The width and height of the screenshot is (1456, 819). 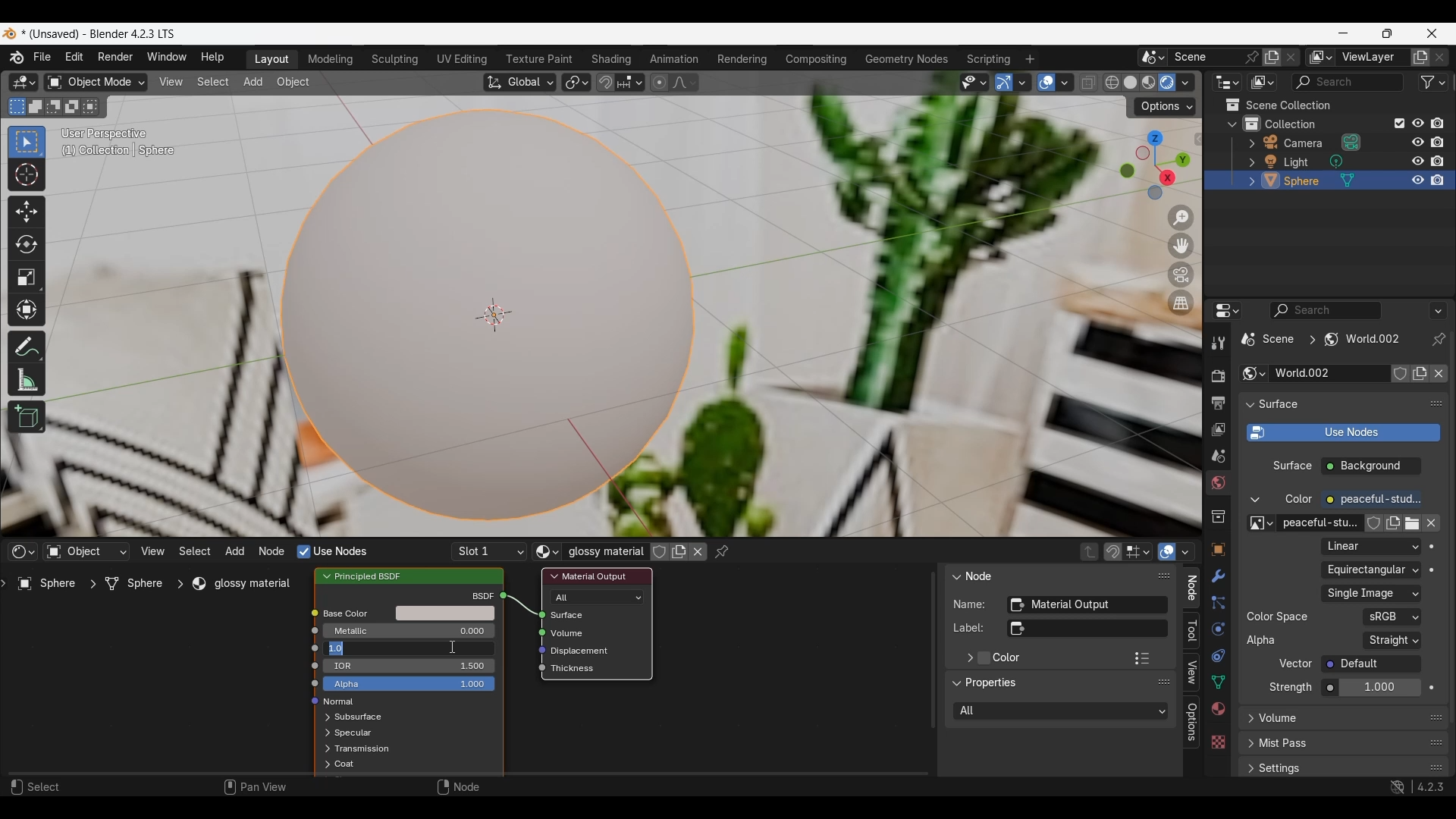 I want to click on surface, so click(x=1281, y=404).